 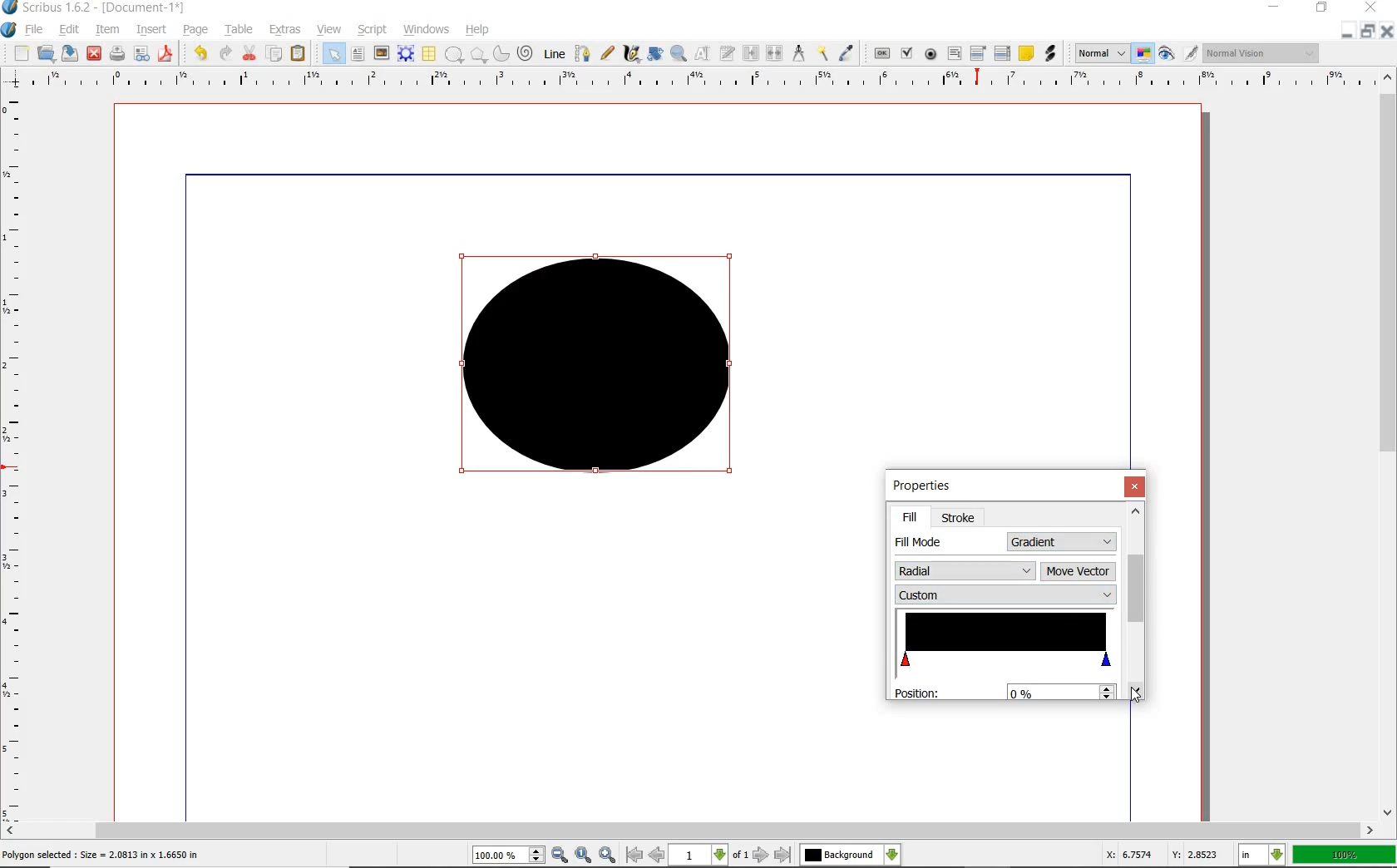 What do you see at coordinates (21, 53) in the screenshot?
I see `NEW` at bounding box center [21, 53].